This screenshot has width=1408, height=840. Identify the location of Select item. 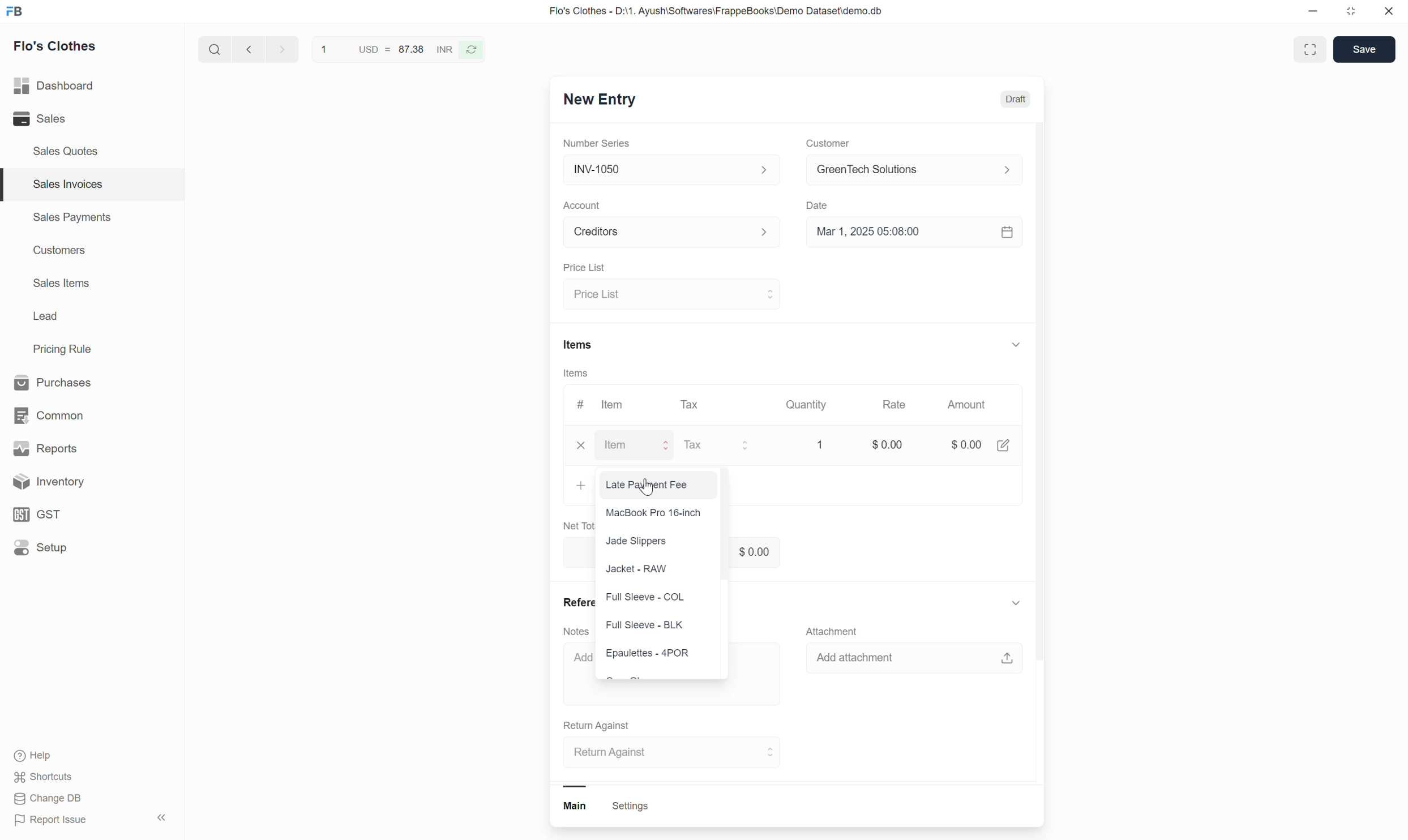
(639, 446).